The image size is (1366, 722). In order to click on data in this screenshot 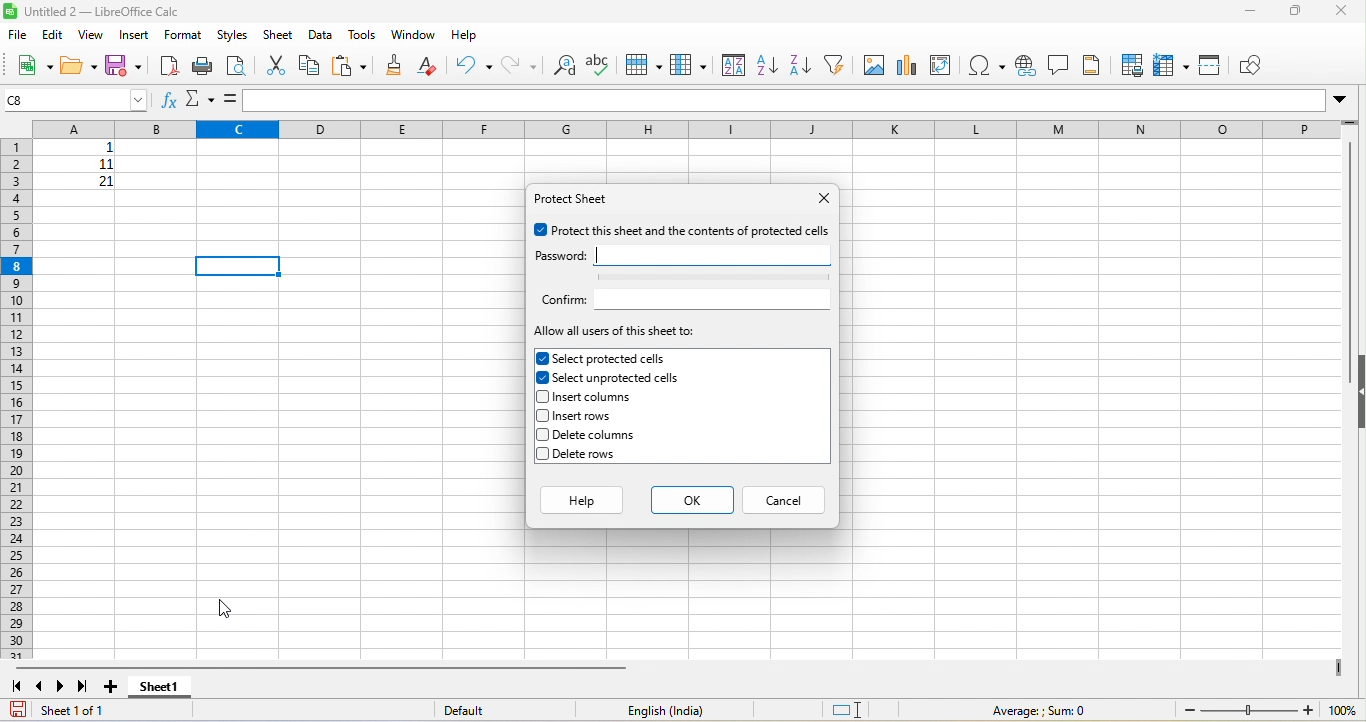, I will do `click(319, 35)`.